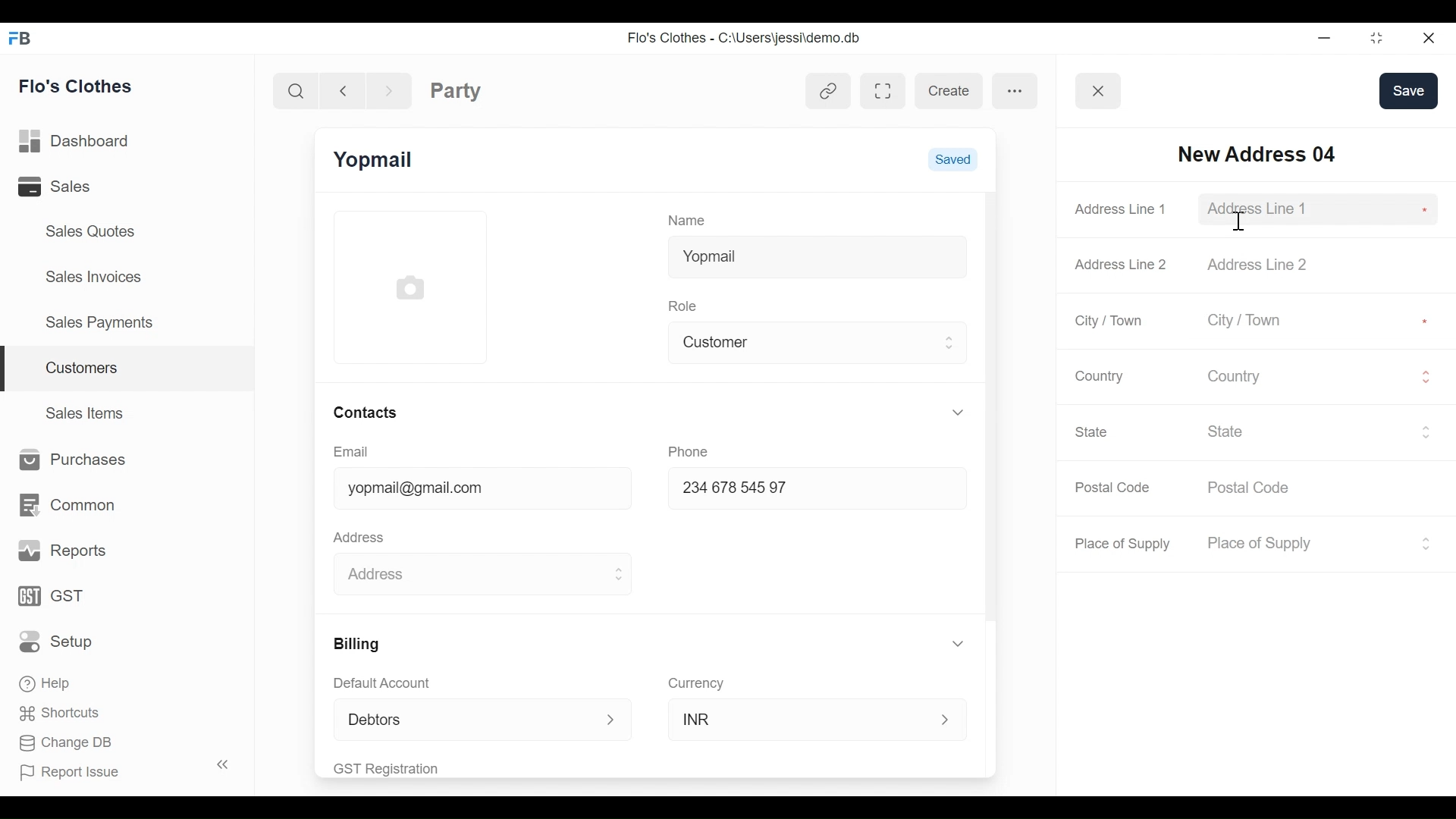 The height and width of the screenshot is (819, 1456). I want to click on Sales Quotes, so click(92, 231).